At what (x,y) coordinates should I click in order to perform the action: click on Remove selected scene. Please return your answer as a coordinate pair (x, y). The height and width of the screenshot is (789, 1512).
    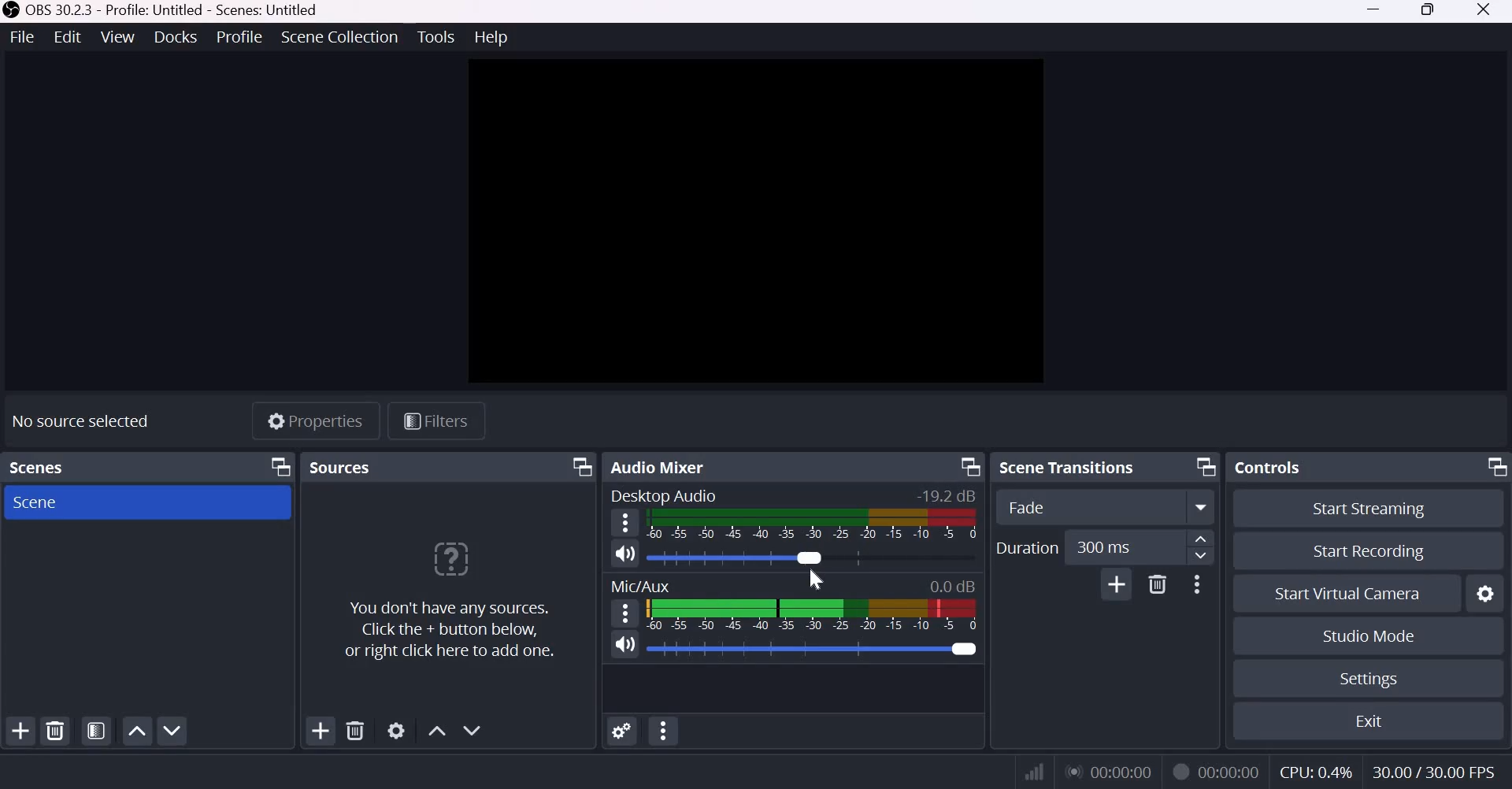
    Looking at the image, I should click on (55, 732).